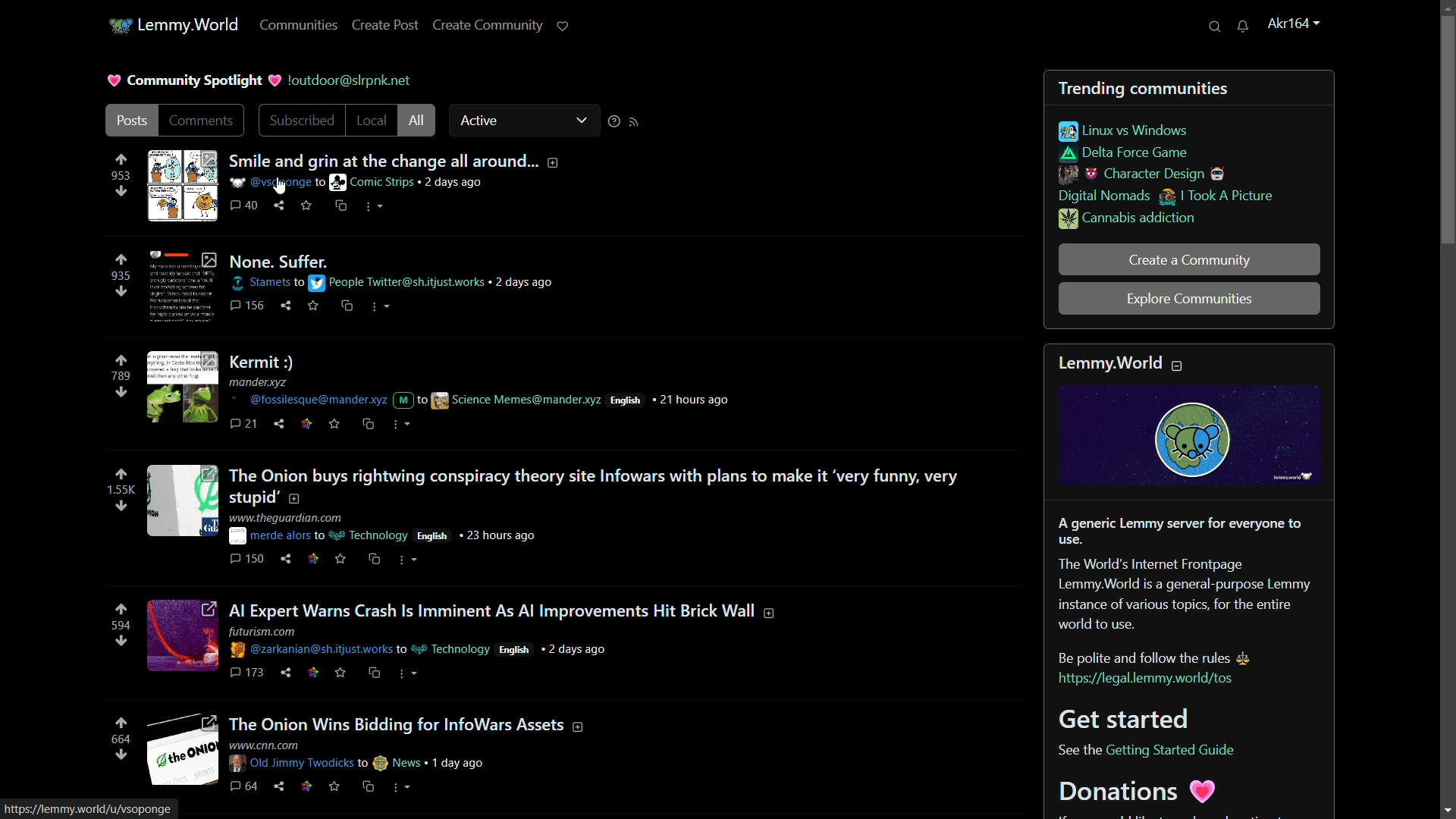 This screenshot has width=1456, height=819. I want to click on search, so click(1216, 25).